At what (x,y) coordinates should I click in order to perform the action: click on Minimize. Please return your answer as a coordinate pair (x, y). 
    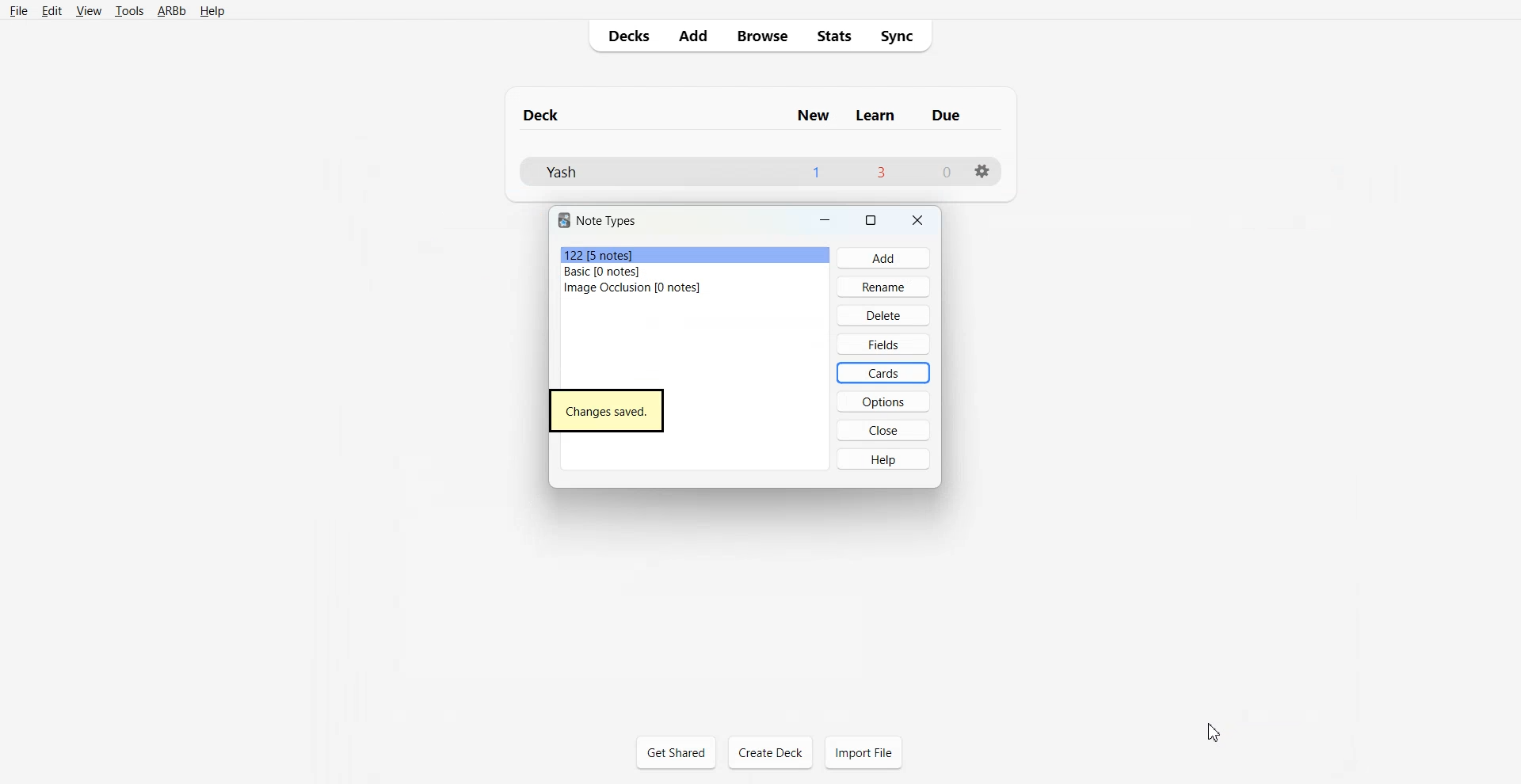
    Looking at the image, I should click on (816, 221).